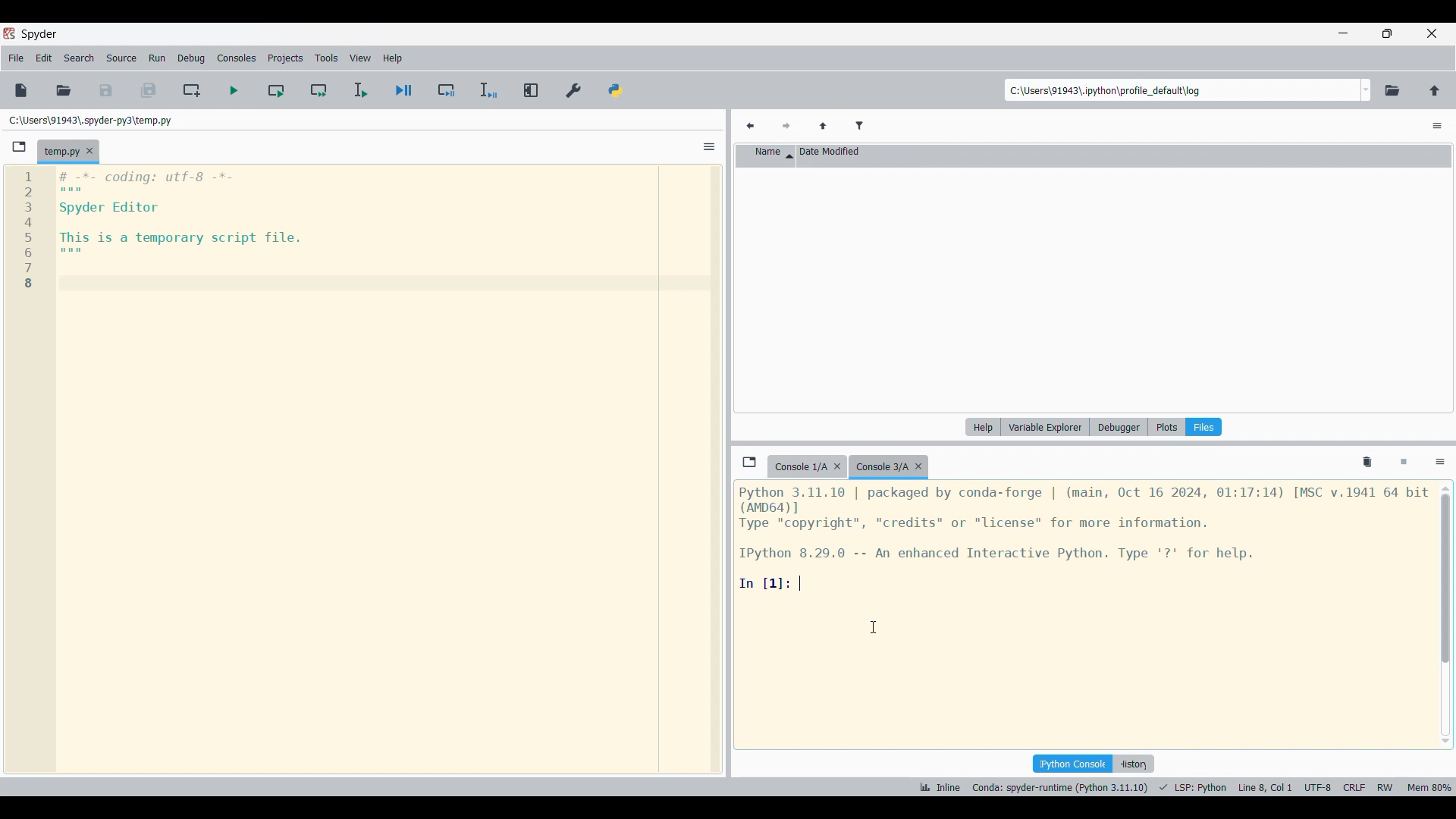  I want to click on Close interface , so click(1432, 33).